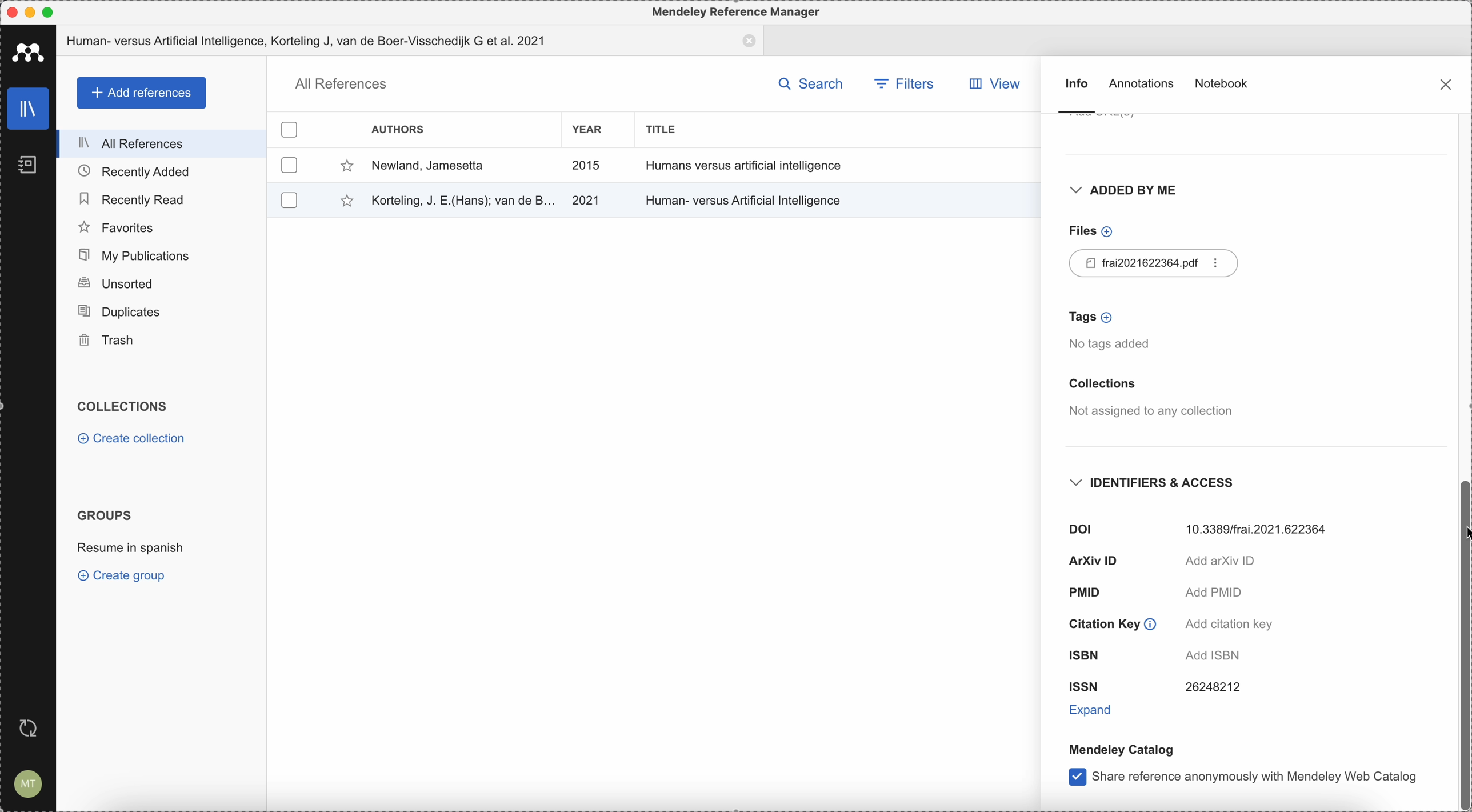 This screenshot has width=1472, height=812. What do you see at coordinates (23, 106) in the screenshot?
I see `library` at bounding box center [23, 106].